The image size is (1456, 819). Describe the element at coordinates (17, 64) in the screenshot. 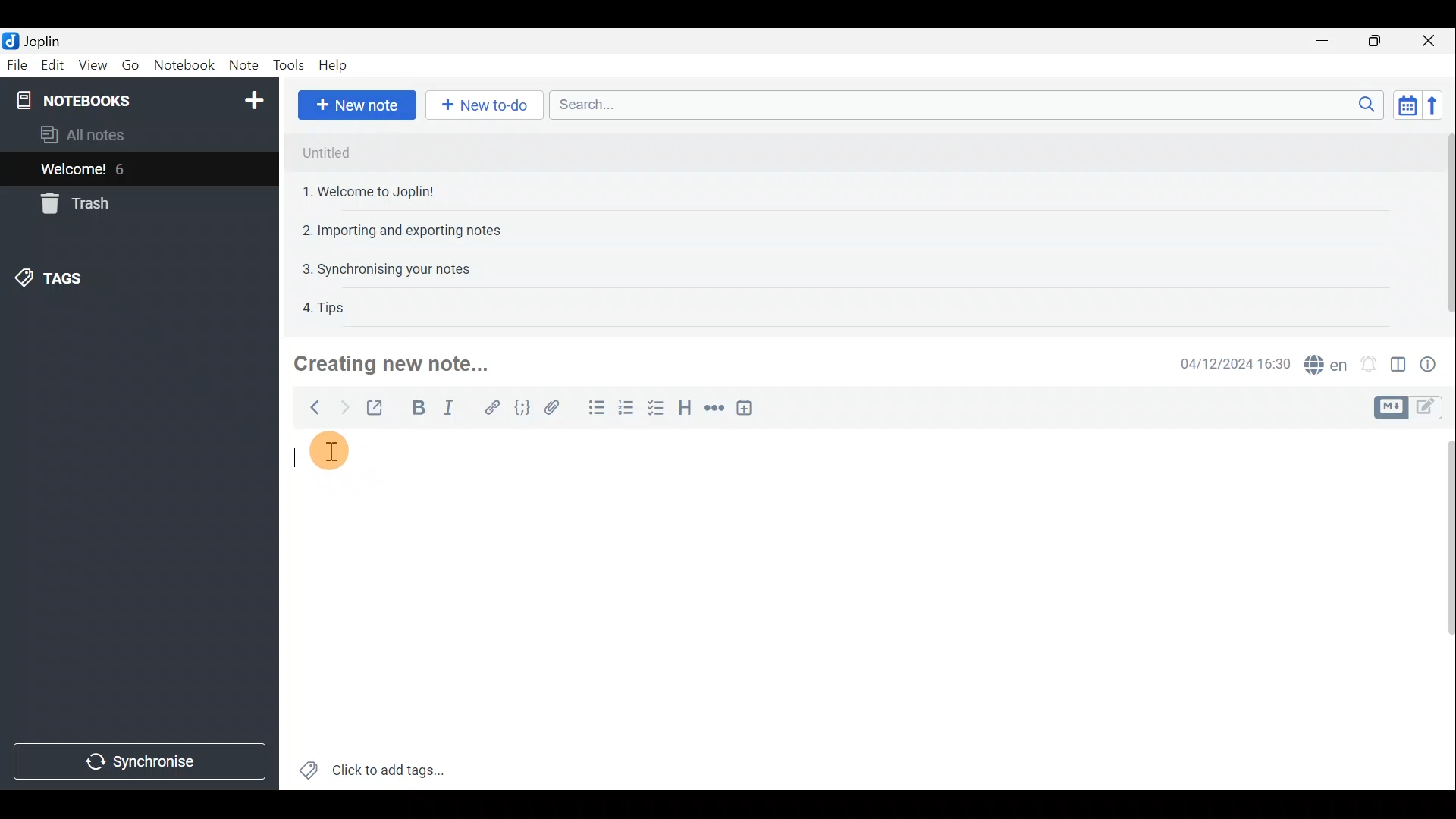

I see `File` at that location.